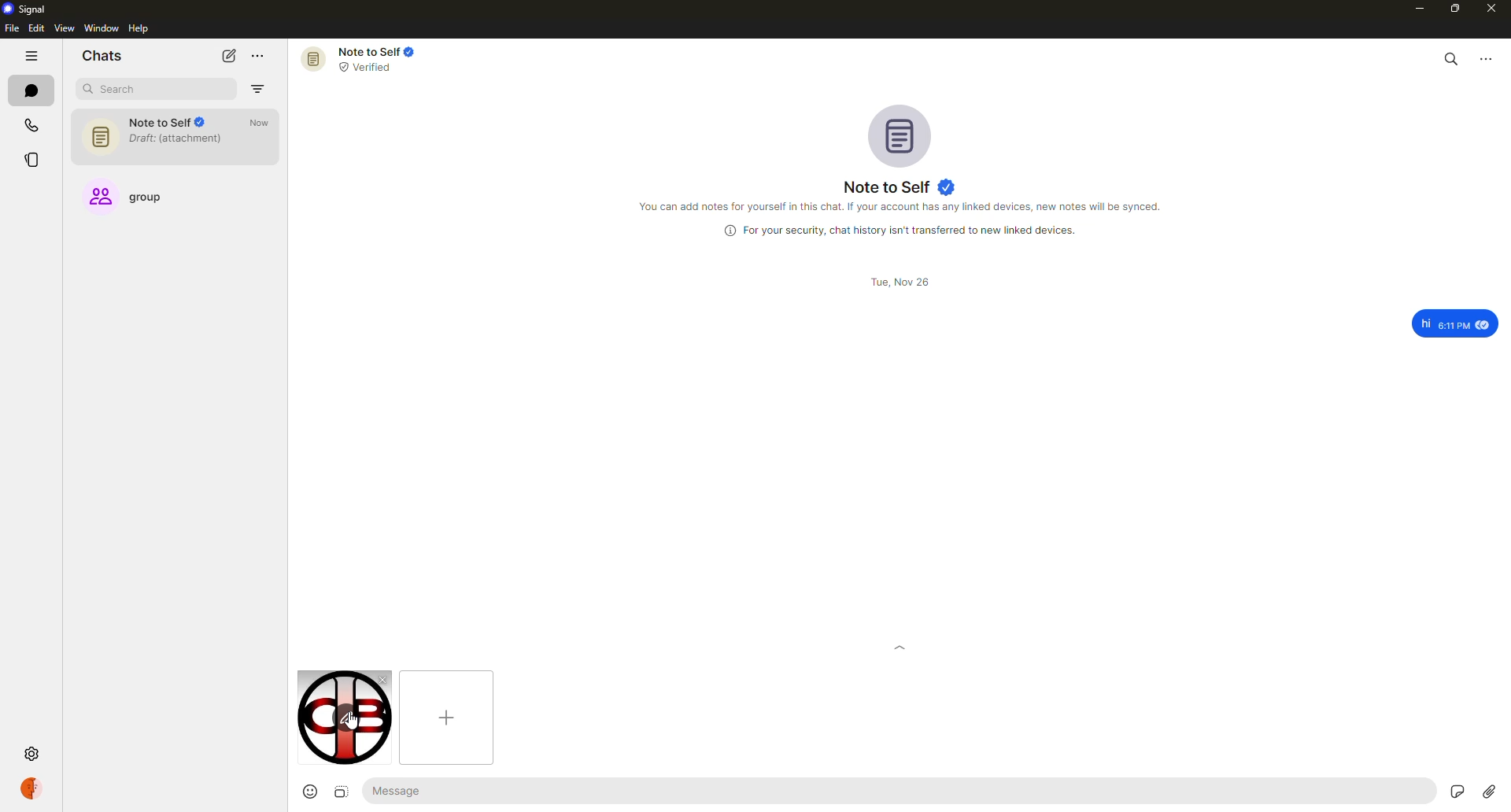 This screenshot has height=812, width=1511. I want to click on profile, so click(29, 791).